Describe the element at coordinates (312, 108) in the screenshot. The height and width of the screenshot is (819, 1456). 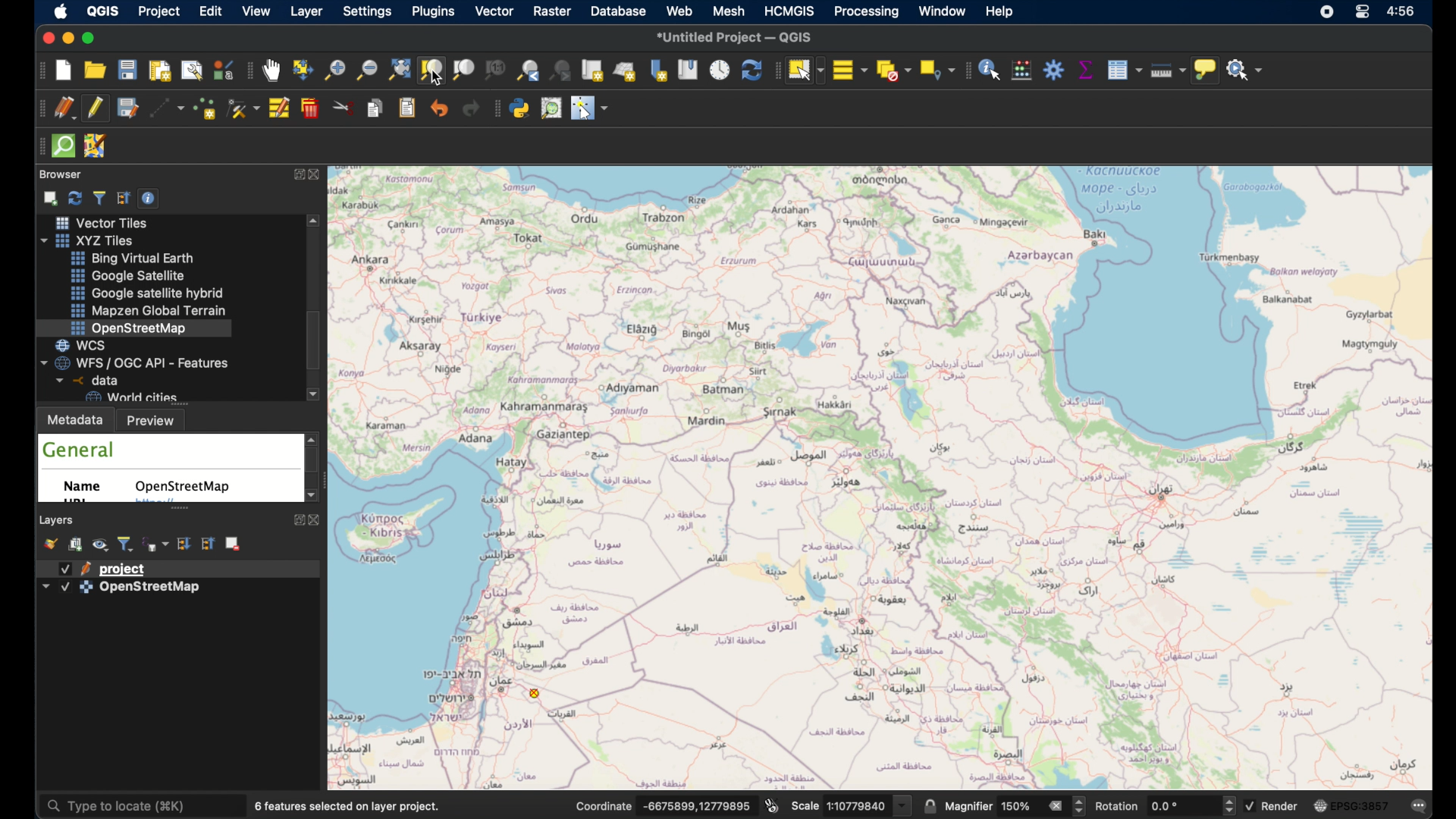
I see `delete selected` at that location.